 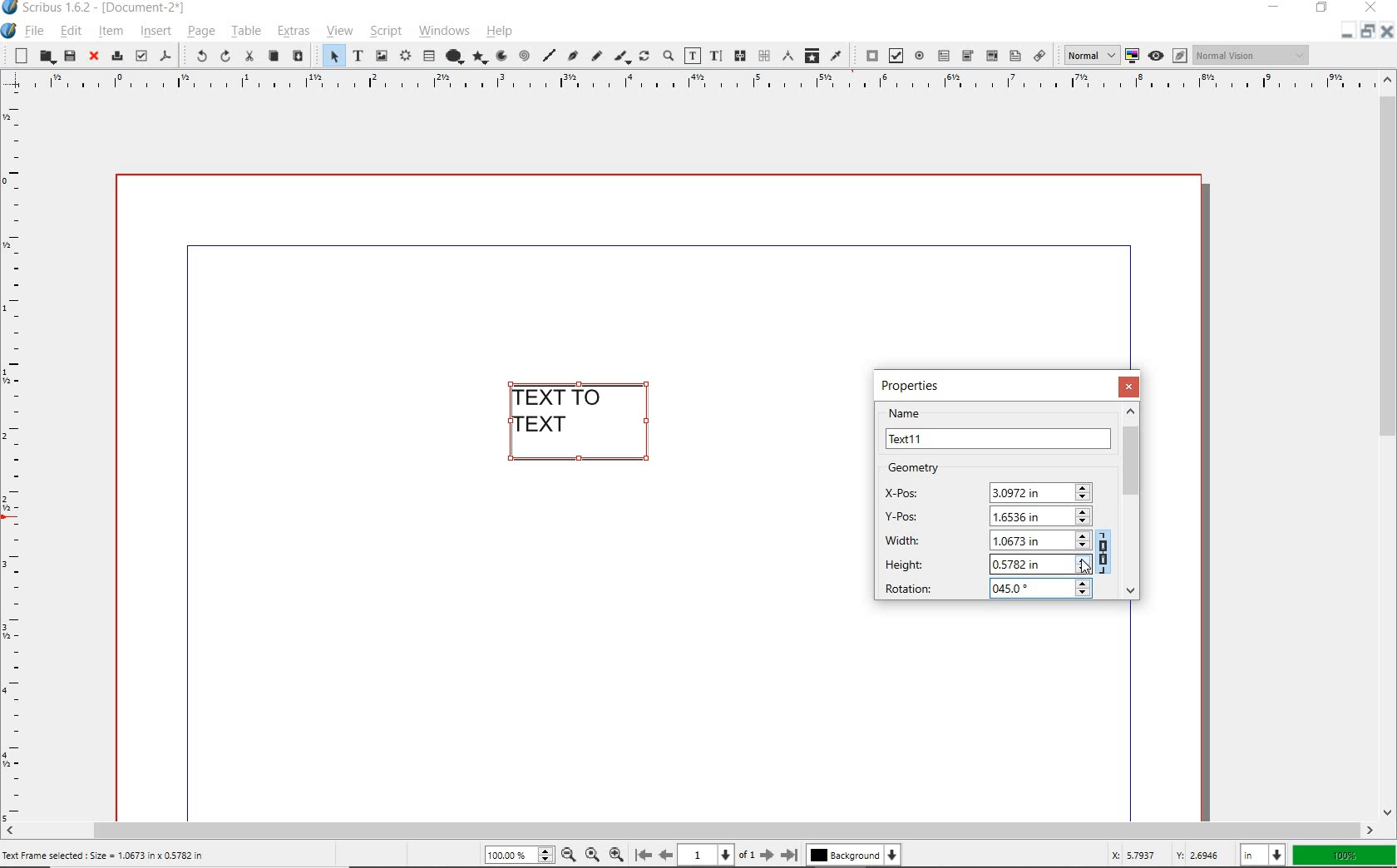 I want to click on print, so click(x=116, y=57).